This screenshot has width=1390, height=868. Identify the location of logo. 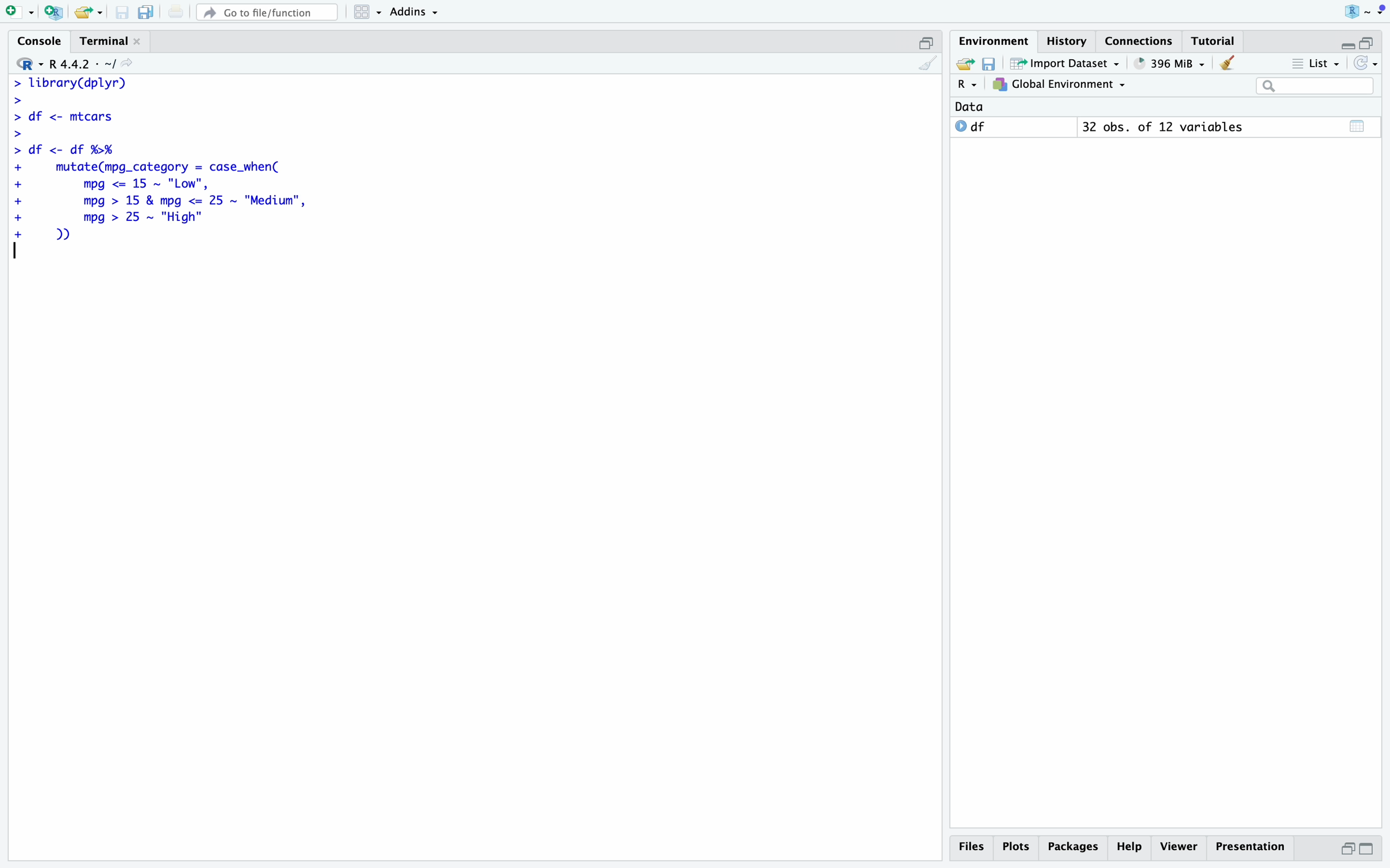
(1362, 10).